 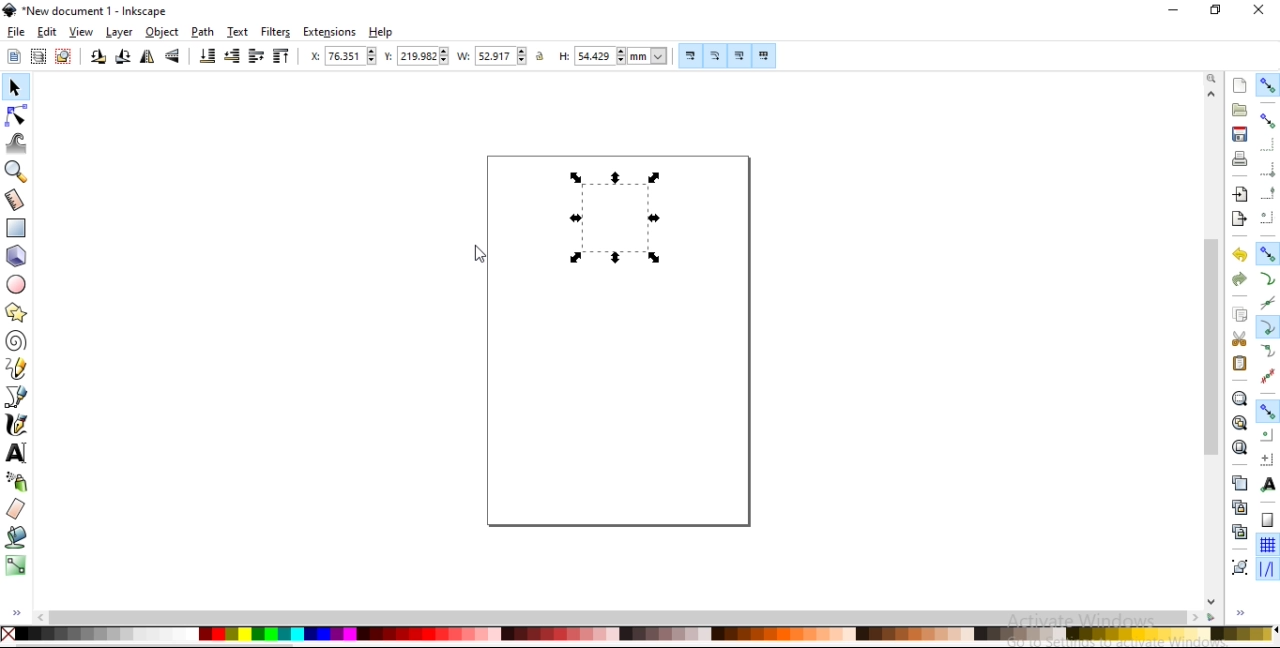 I want to click on raise selection to top, so click(x=282, y=57).